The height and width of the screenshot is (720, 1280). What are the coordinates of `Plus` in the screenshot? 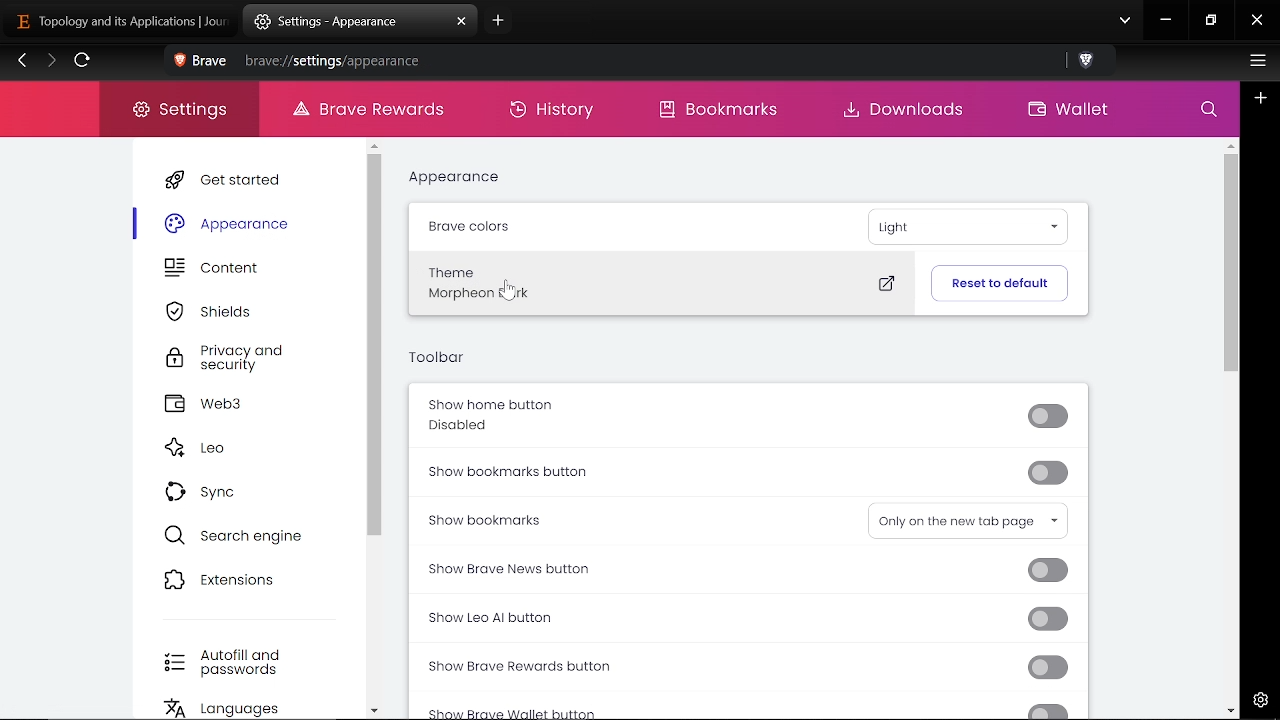 It's located at (1261, 98).